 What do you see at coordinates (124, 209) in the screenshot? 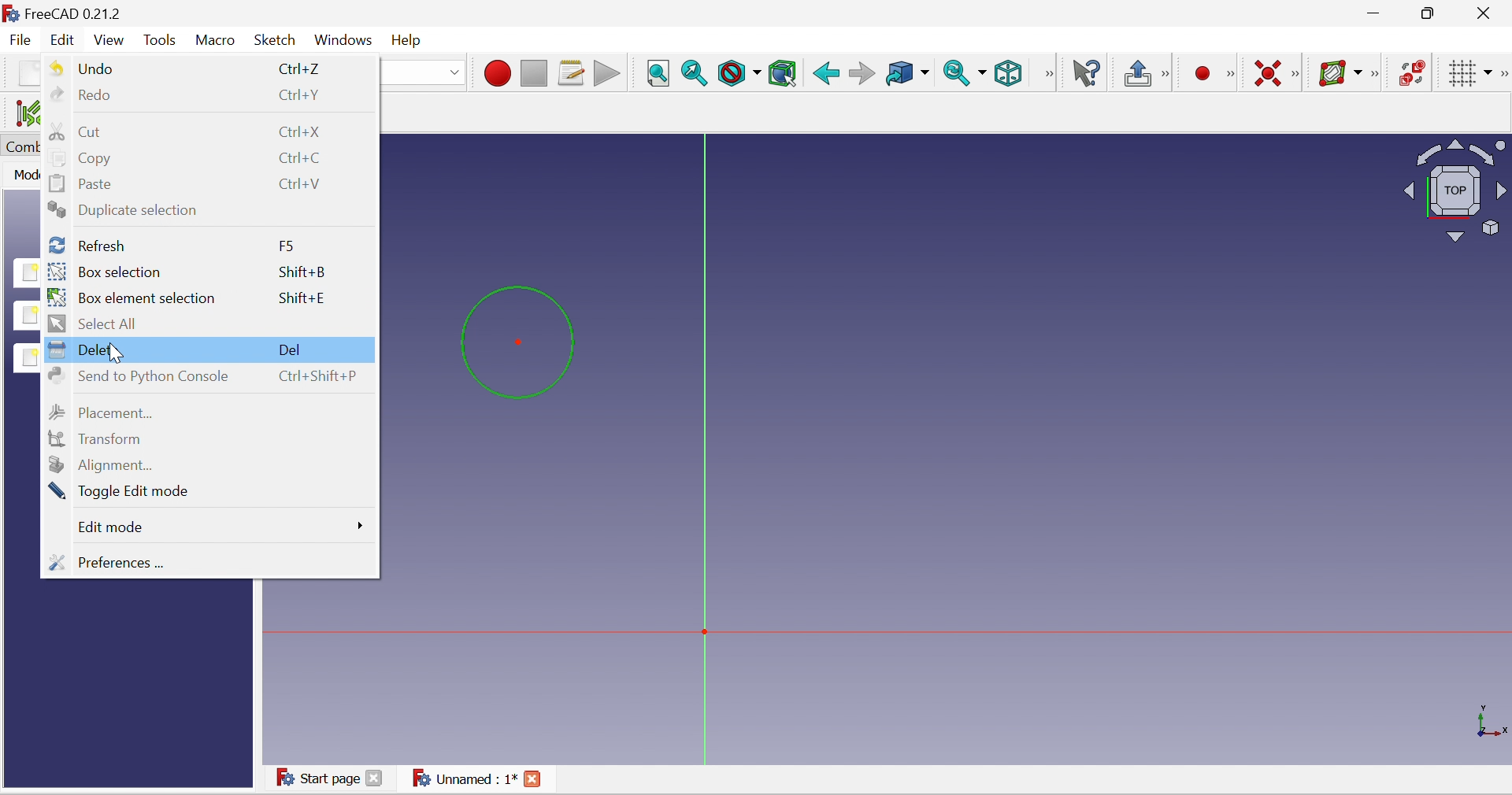
I see `Duplicate selection` at bounding box center [124, 209].